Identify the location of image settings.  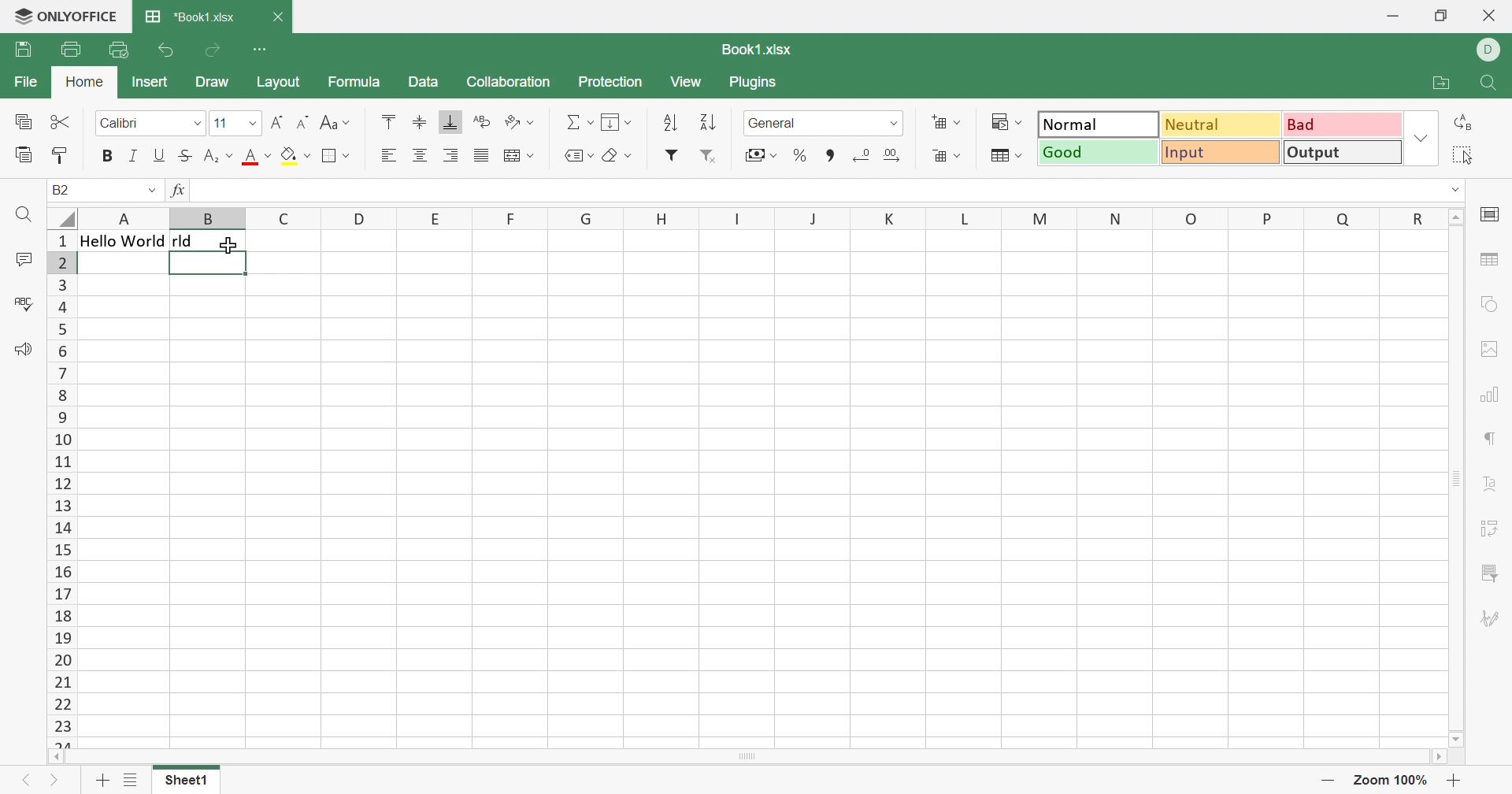
(1488, 347).